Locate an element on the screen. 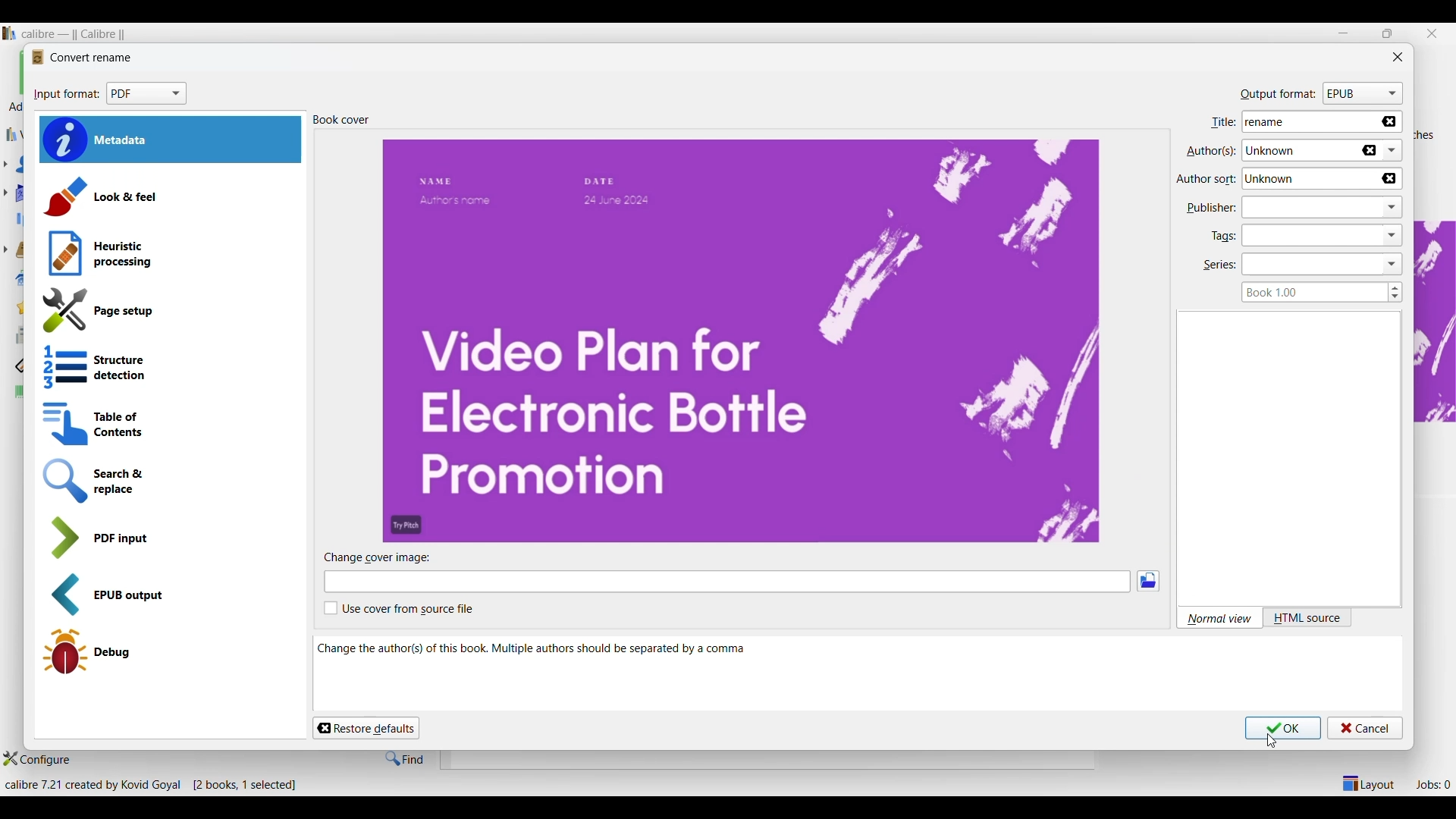 Image resolution: width=1456 pixels, height=819 pixels. dropdown is located at coordinates (1393, 235).